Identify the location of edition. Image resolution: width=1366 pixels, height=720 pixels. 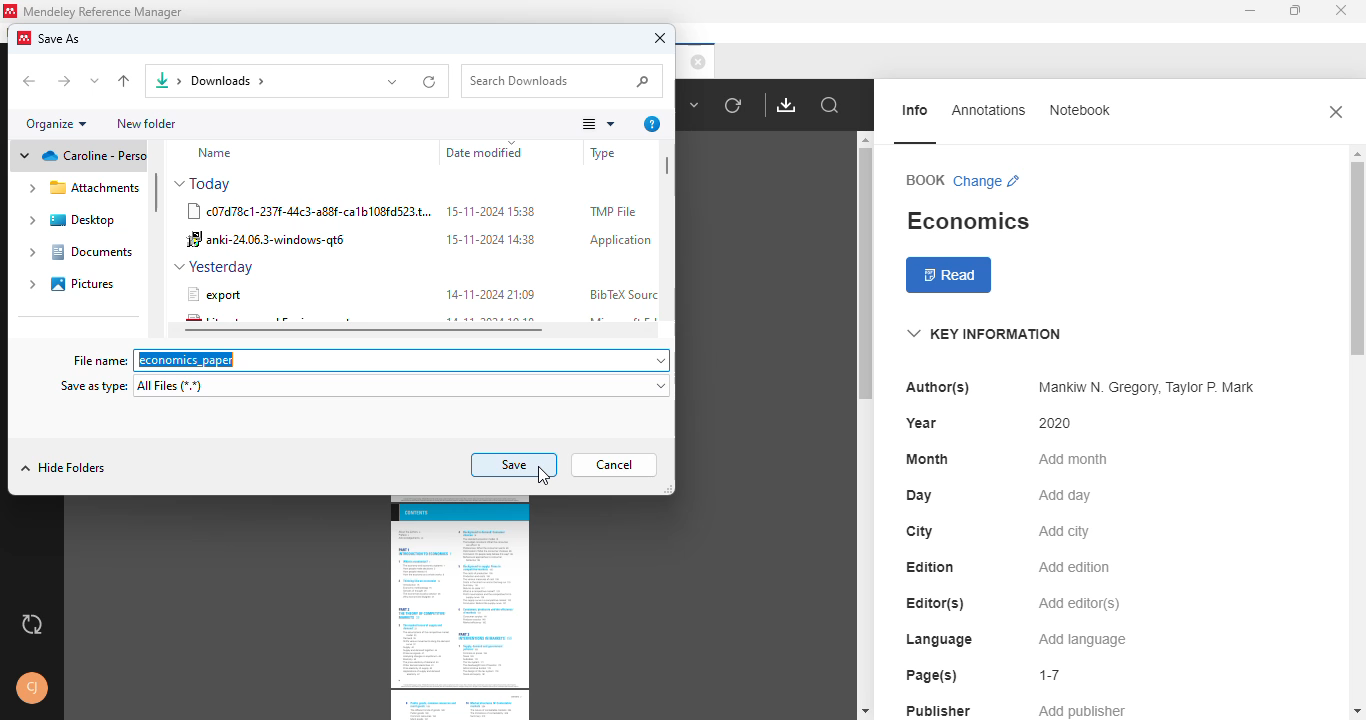
(931, 567).